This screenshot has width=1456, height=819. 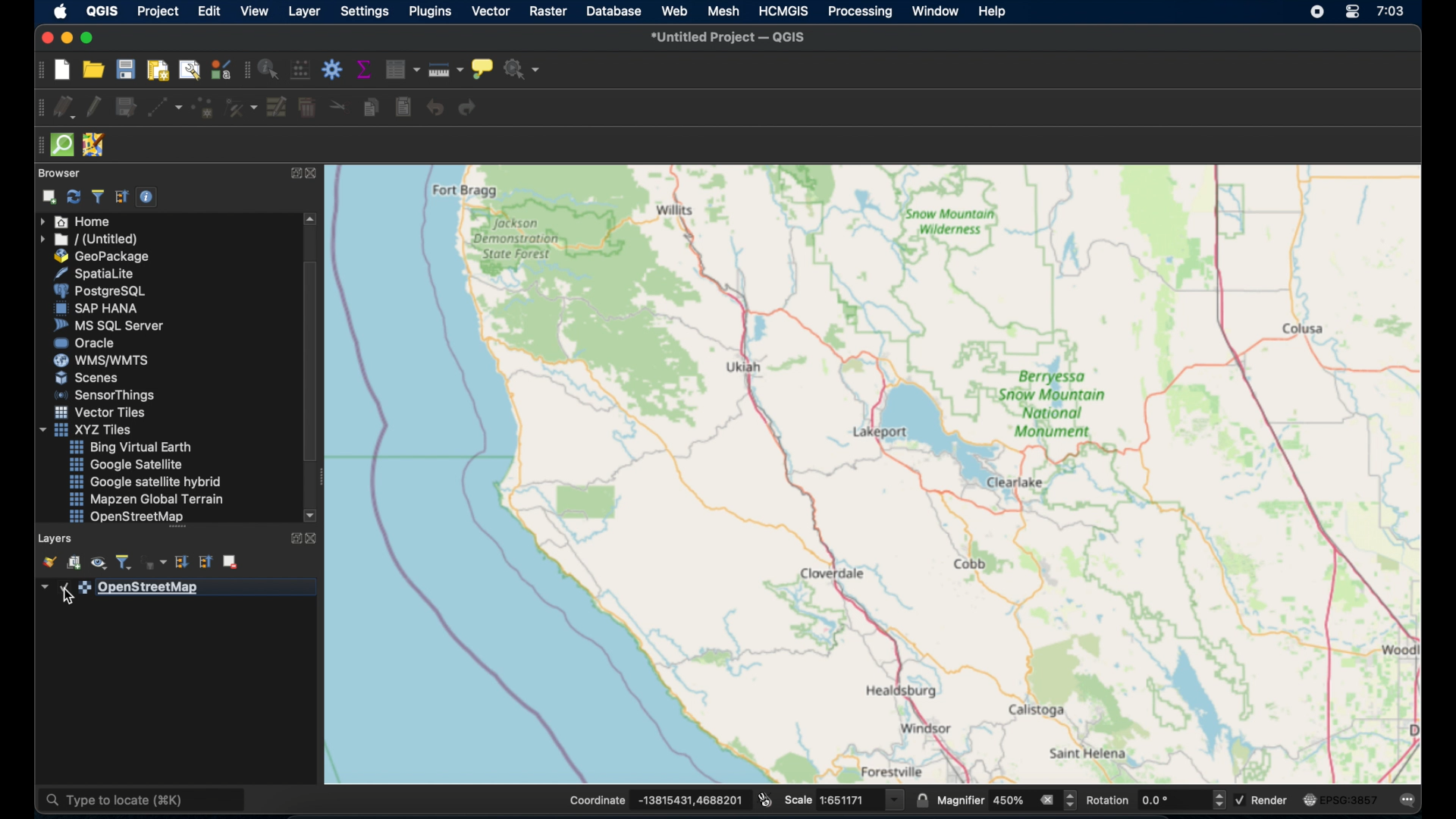 I want to click on add. selected layer, so click(x=48, y=197).